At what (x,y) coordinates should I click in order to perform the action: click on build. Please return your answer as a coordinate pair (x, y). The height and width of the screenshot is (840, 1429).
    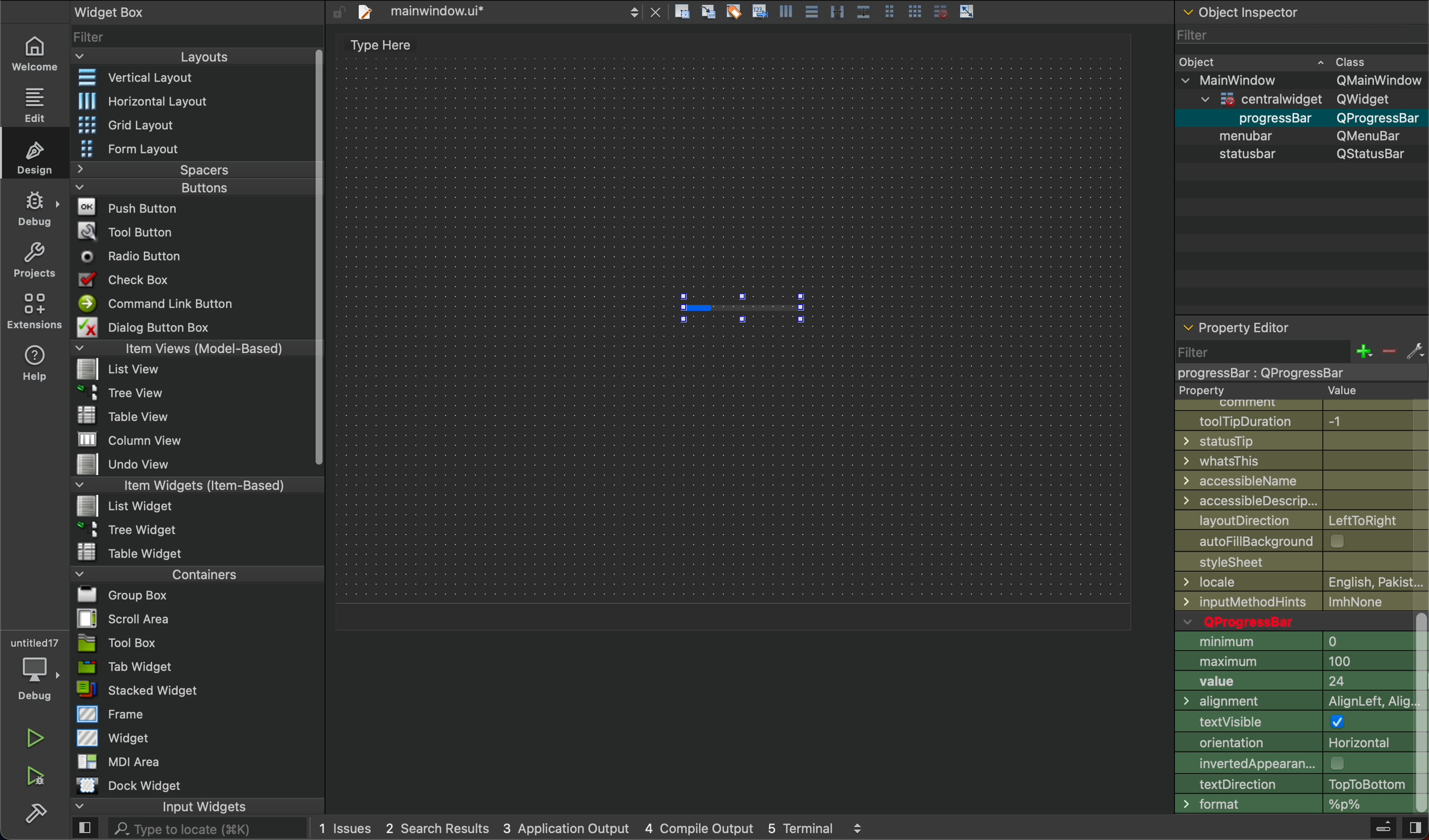
    Looking at the image, I should click on (36, 811).